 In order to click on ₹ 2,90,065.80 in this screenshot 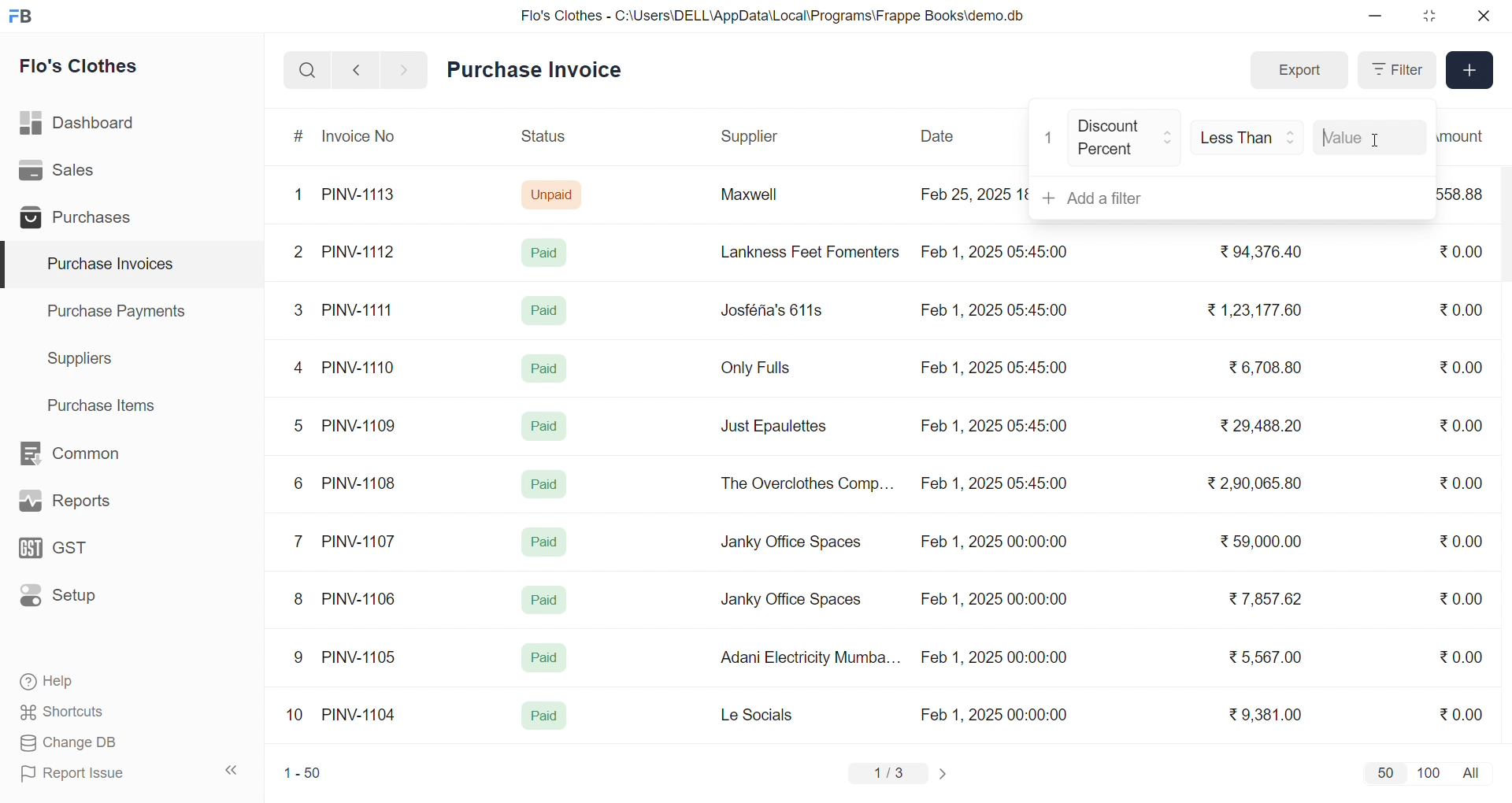, I will do `click(1256, 484)`.